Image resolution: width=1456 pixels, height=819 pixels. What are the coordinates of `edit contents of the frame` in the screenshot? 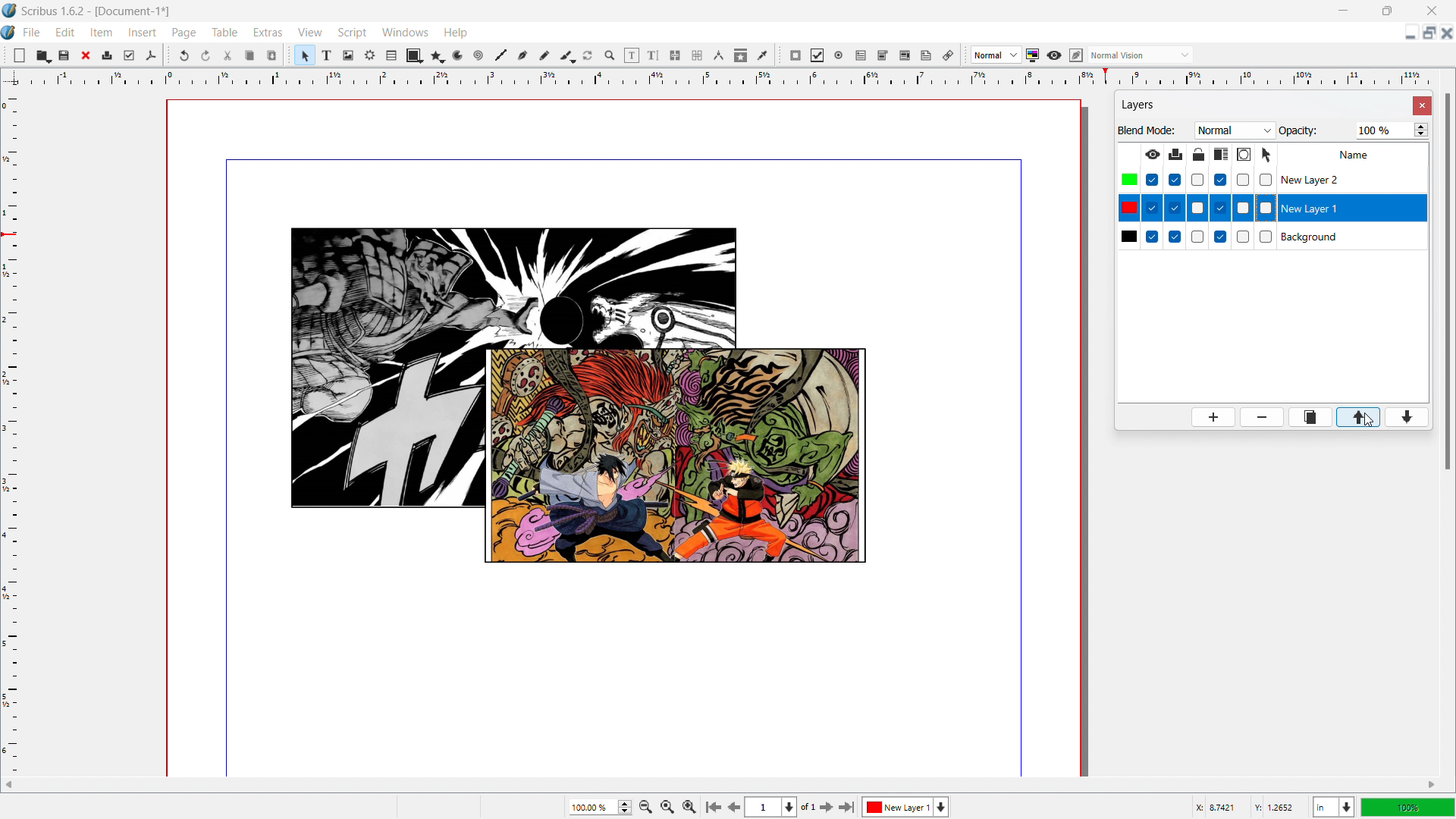 It's located at (632, 55).